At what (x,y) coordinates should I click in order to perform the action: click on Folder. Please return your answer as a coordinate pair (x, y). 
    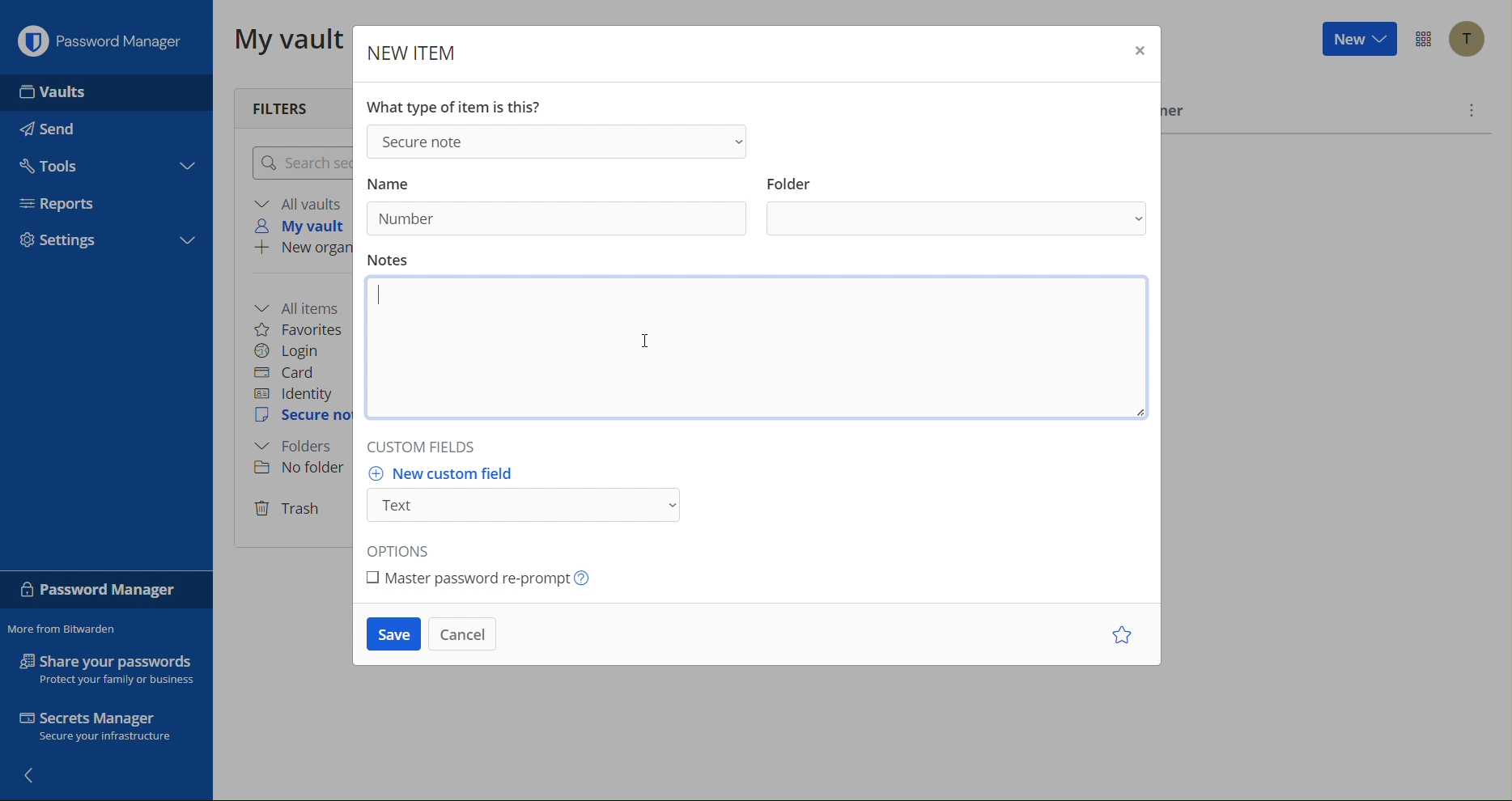
    Looking at the image, I should click on (300, 447).